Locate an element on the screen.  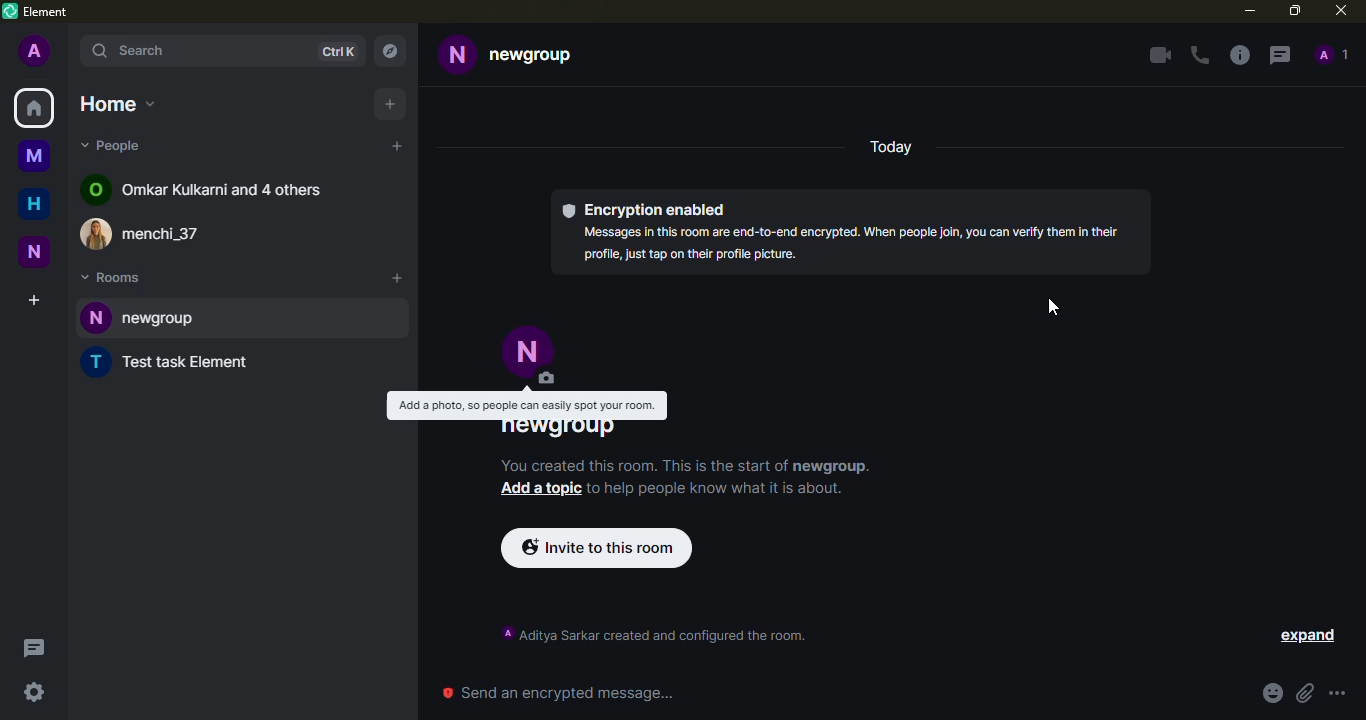
add is located at coordinates (397, 146).